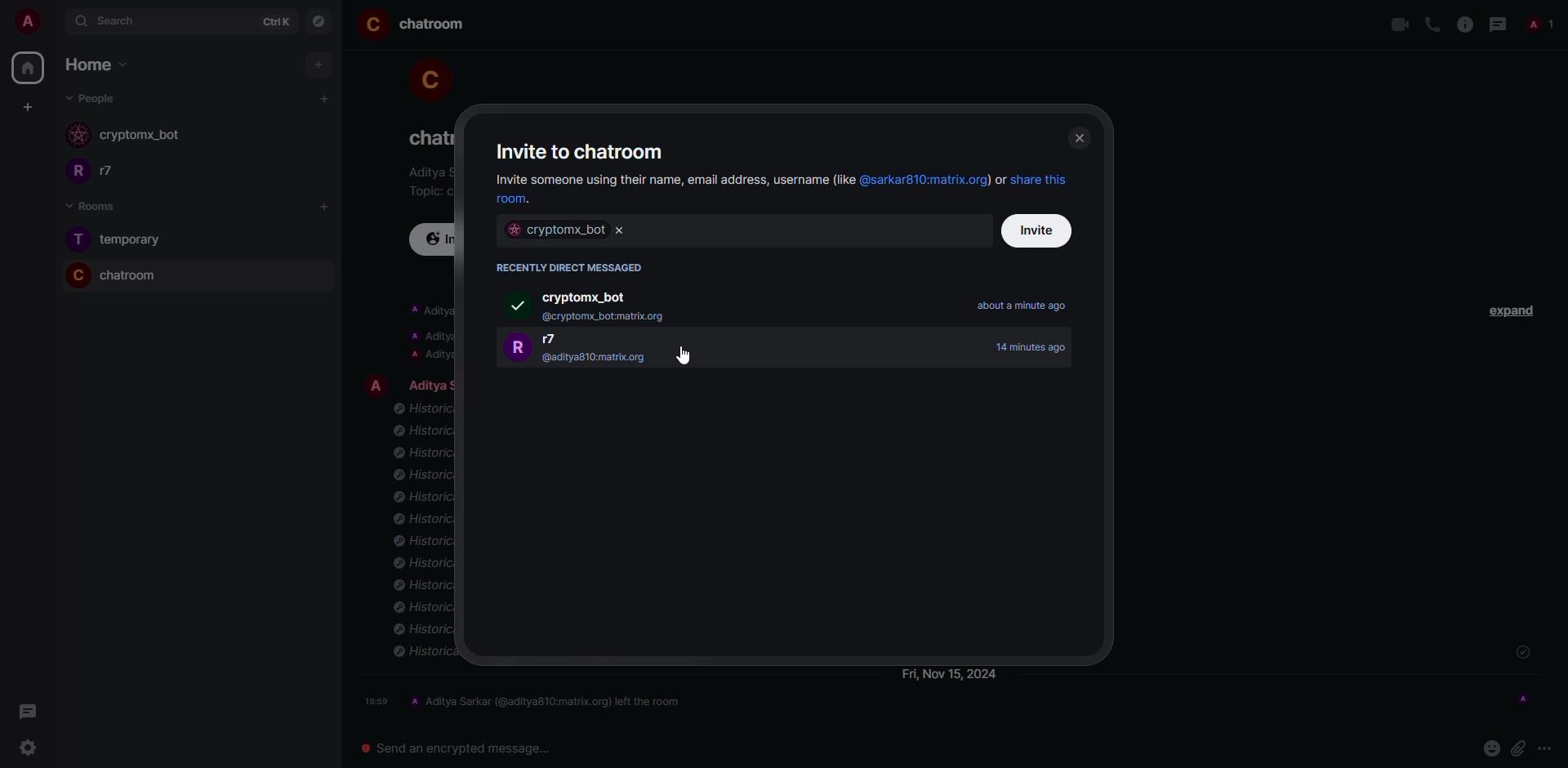 This screenshot has height=768, width=1568. What do you see at coordinates (88, 65) in the screenshot?
I see `home` at bounding box center [88, 65].